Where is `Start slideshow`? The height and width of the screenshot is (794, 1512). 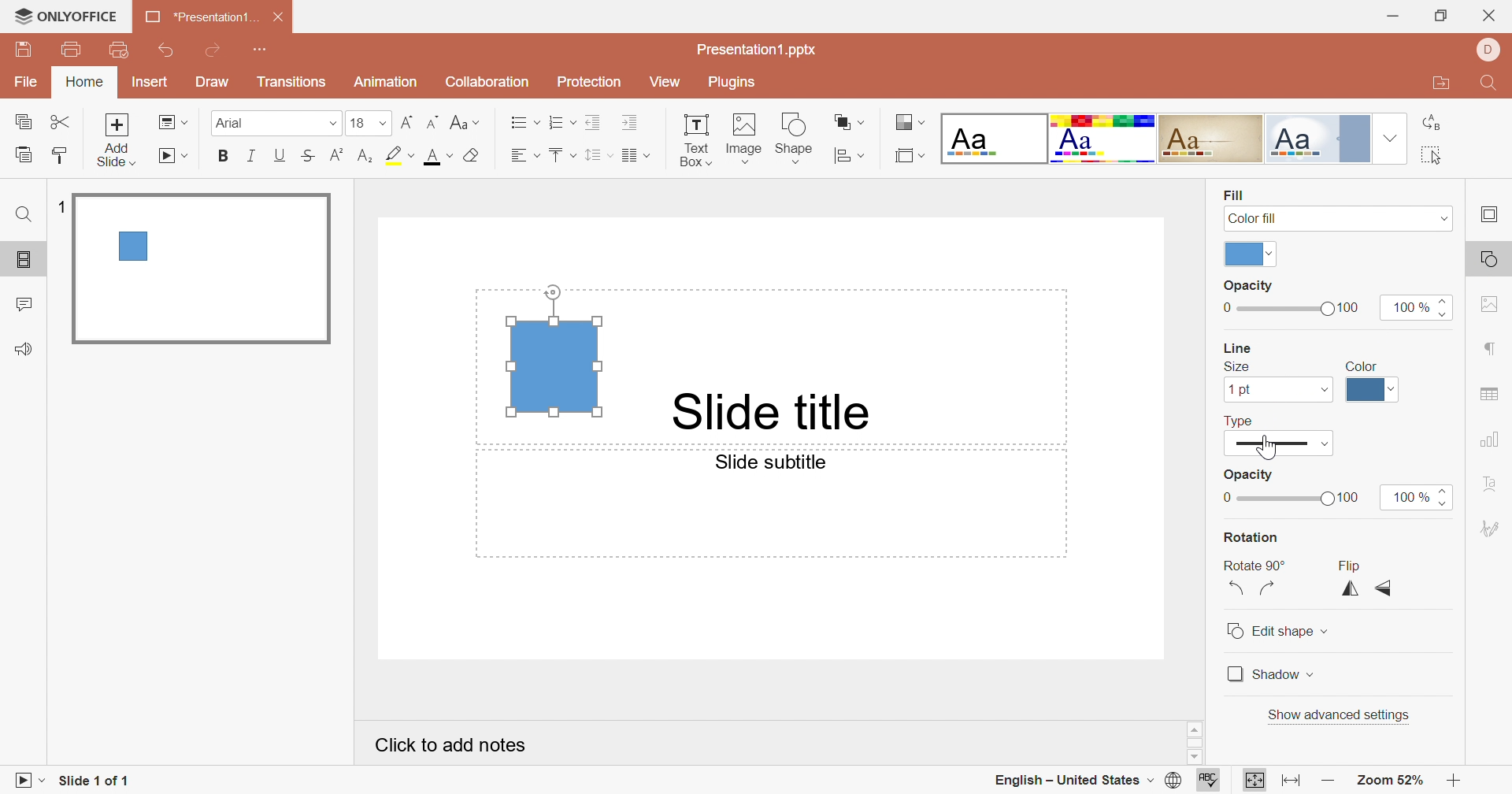 Start slideshow is located at coordinates (176, 157).